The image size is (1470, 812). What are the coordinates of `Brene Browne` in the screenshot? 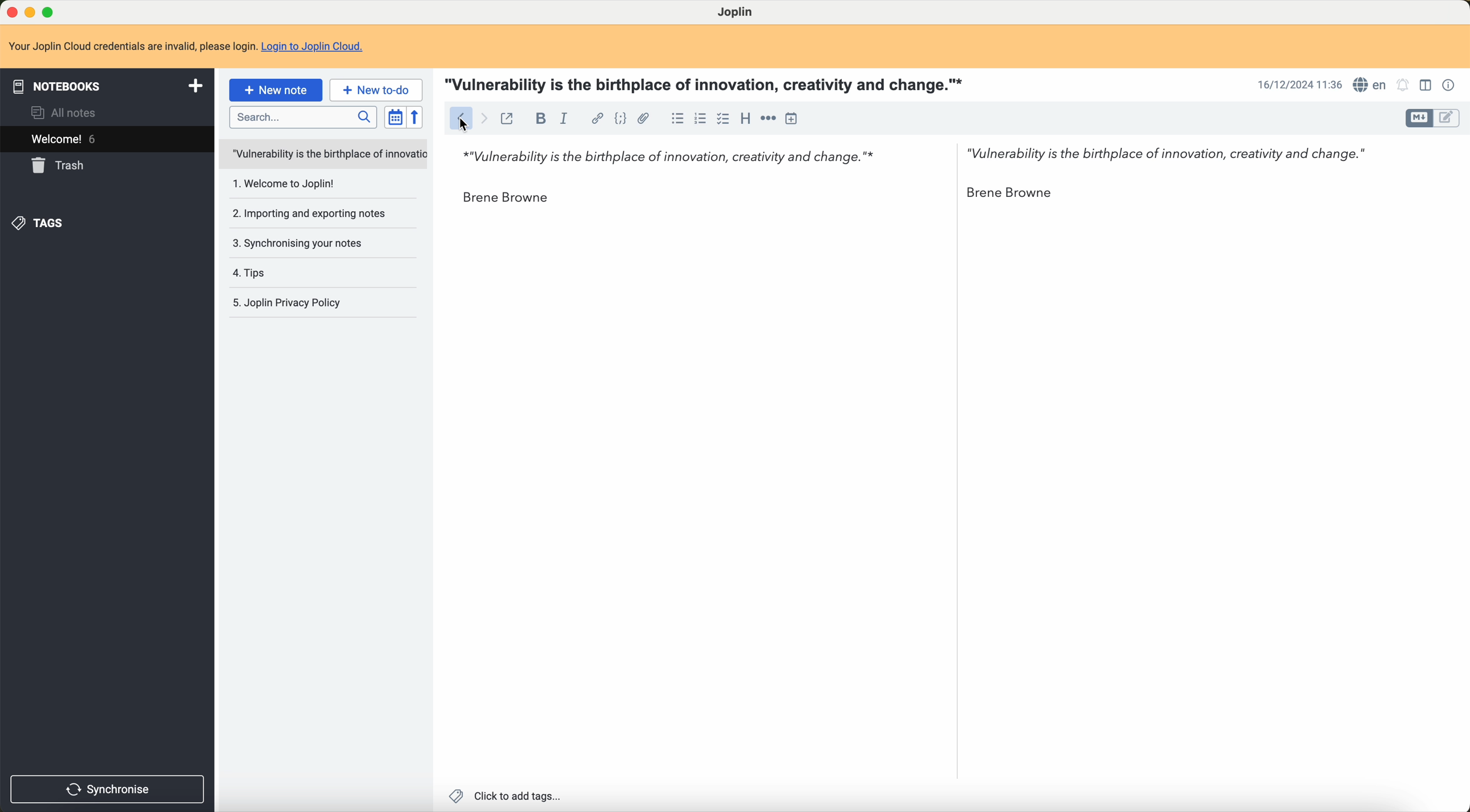 It's located at (1020, 193).